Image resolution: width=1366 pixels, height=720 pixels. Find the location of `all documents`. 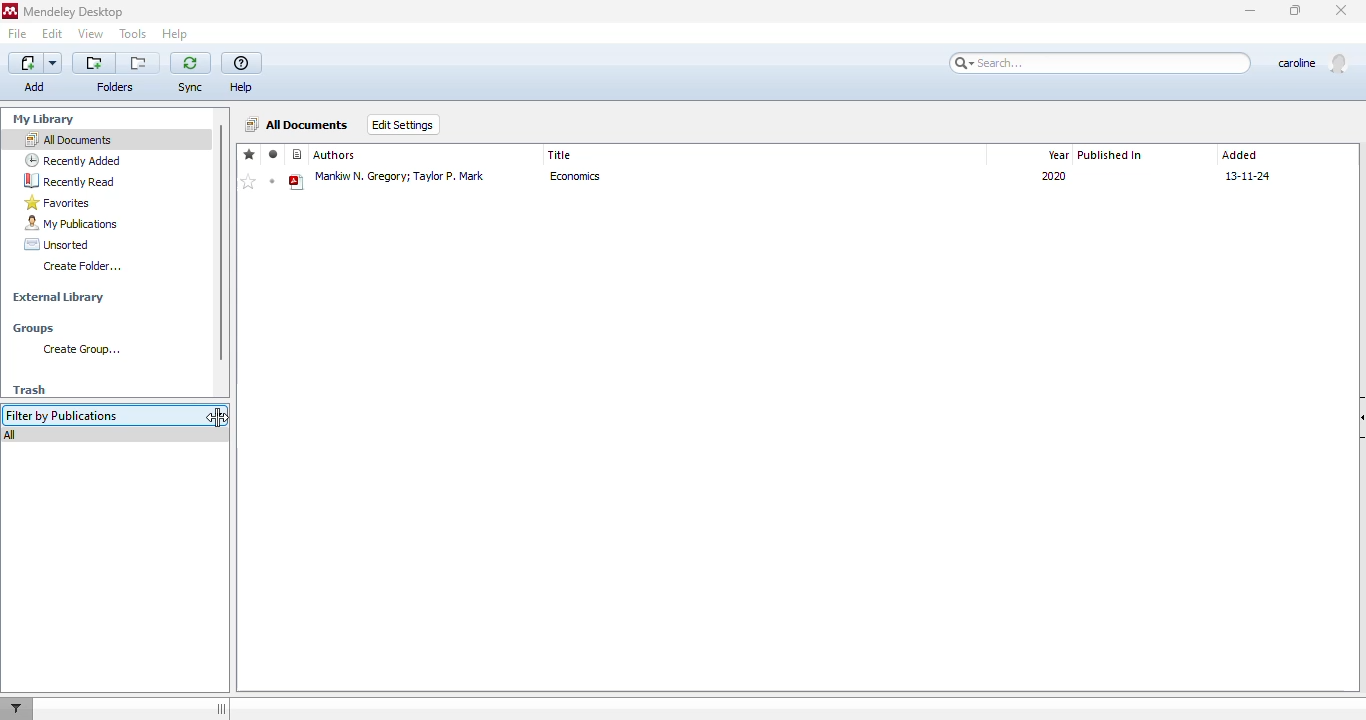

all documents is located at coordinates (298, 124).